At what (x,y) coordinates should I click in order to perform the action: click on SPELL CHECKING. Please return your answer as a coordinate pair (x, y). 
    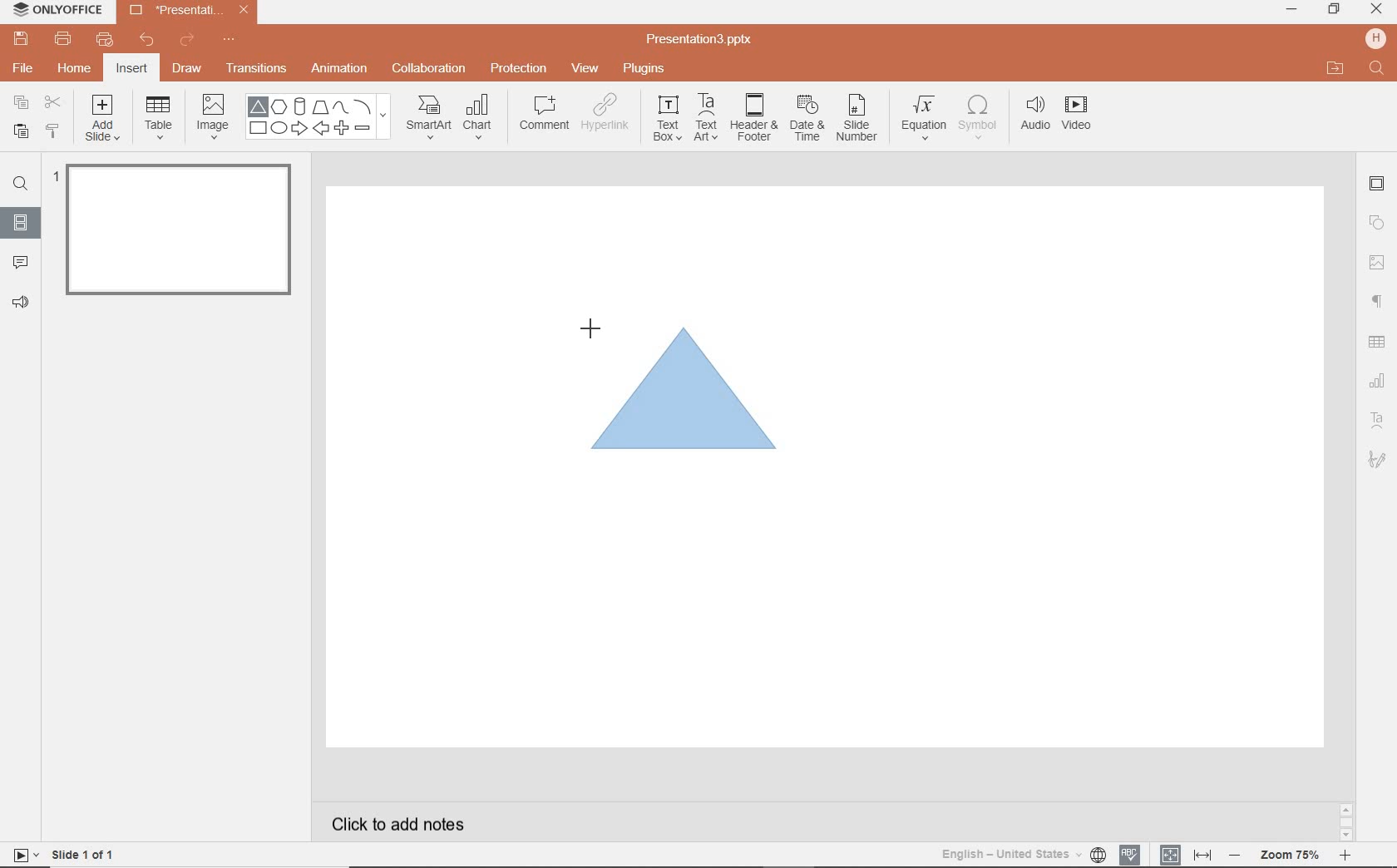
    Looking at the image, I should click on (1134, 852).